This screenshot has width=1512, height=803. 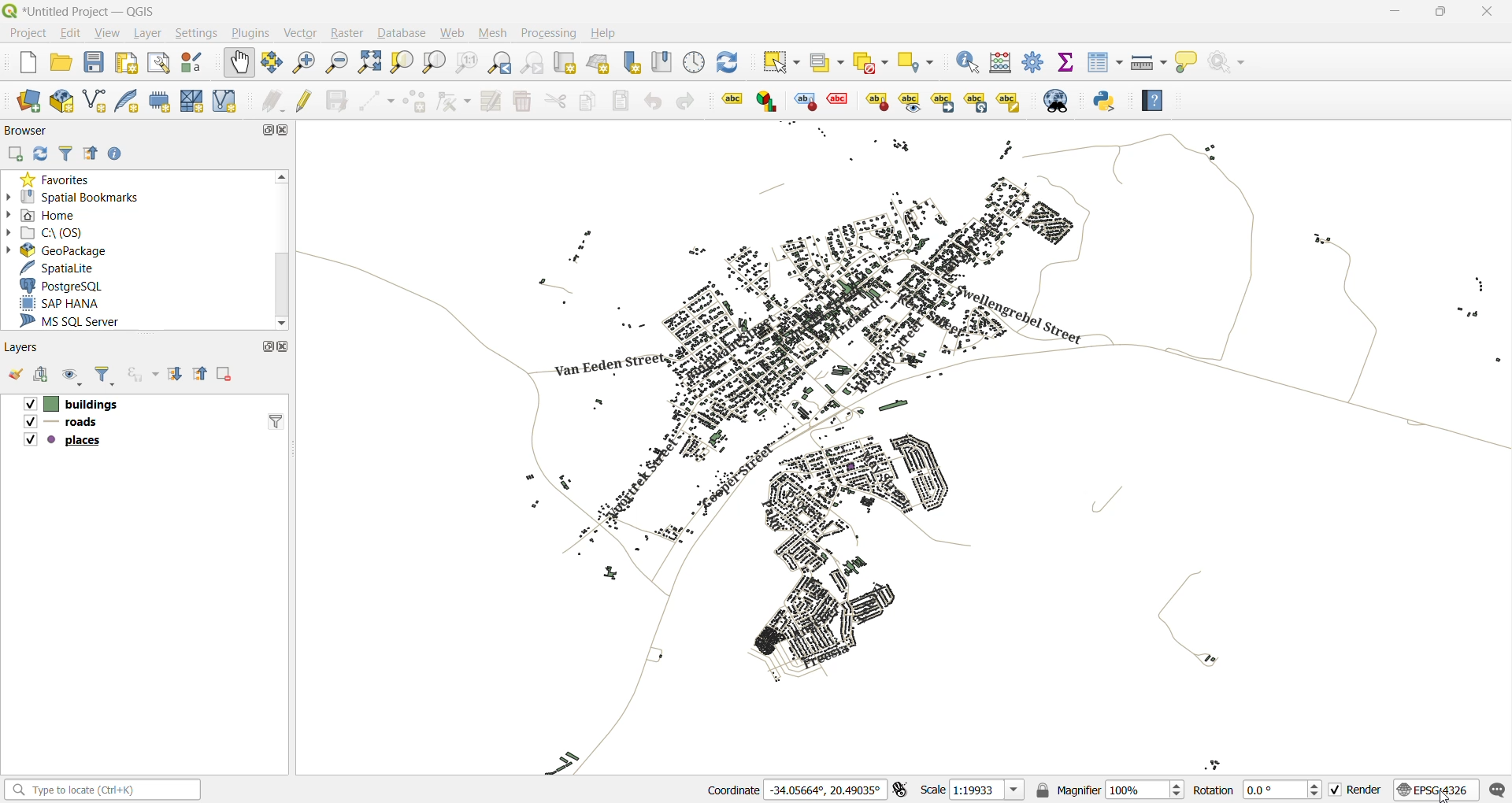 I want to click on web, so click(x=454, y=33).